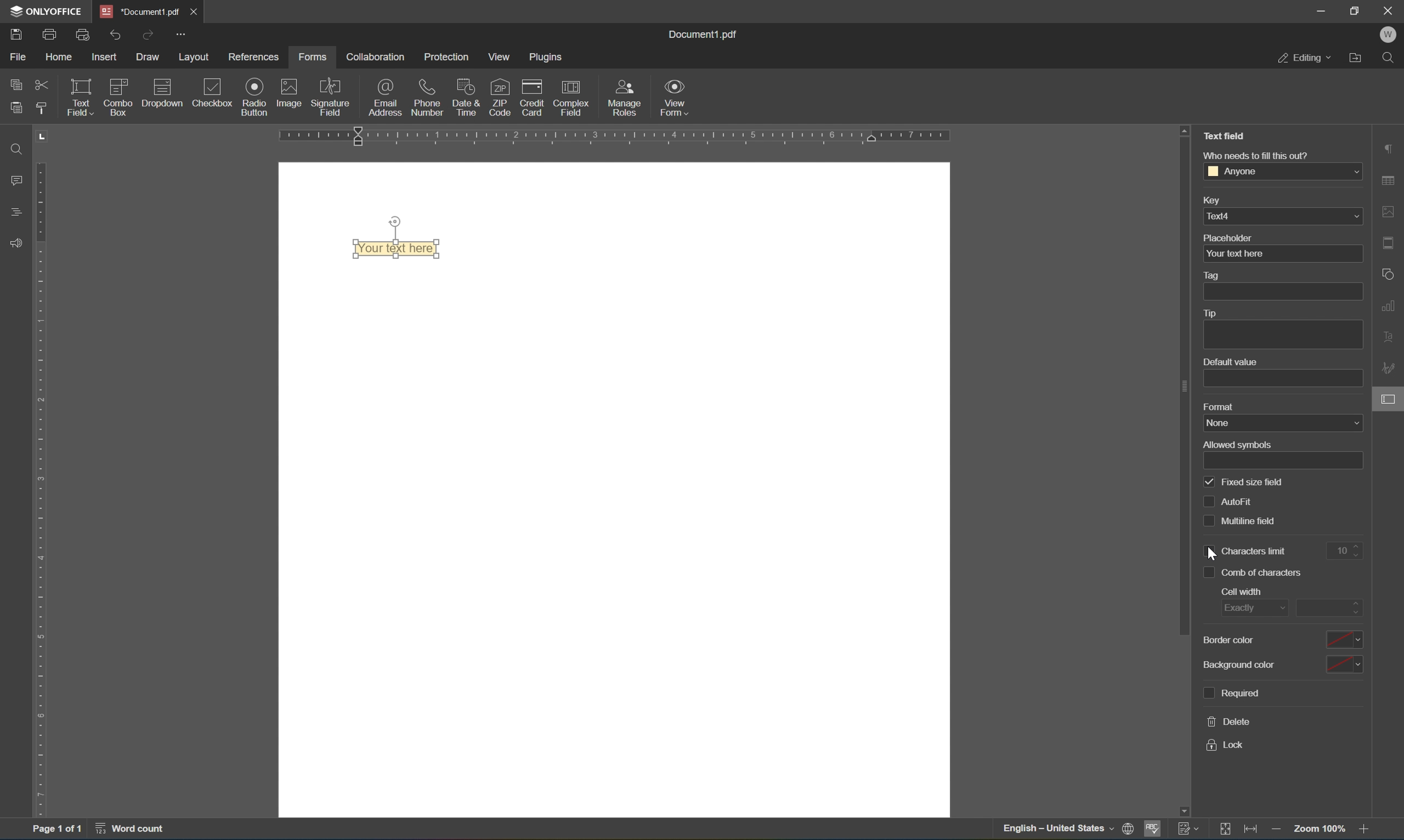  Describe the element at coordinates (1187, 130) in the screenshot. I see `scroll up` at that location.